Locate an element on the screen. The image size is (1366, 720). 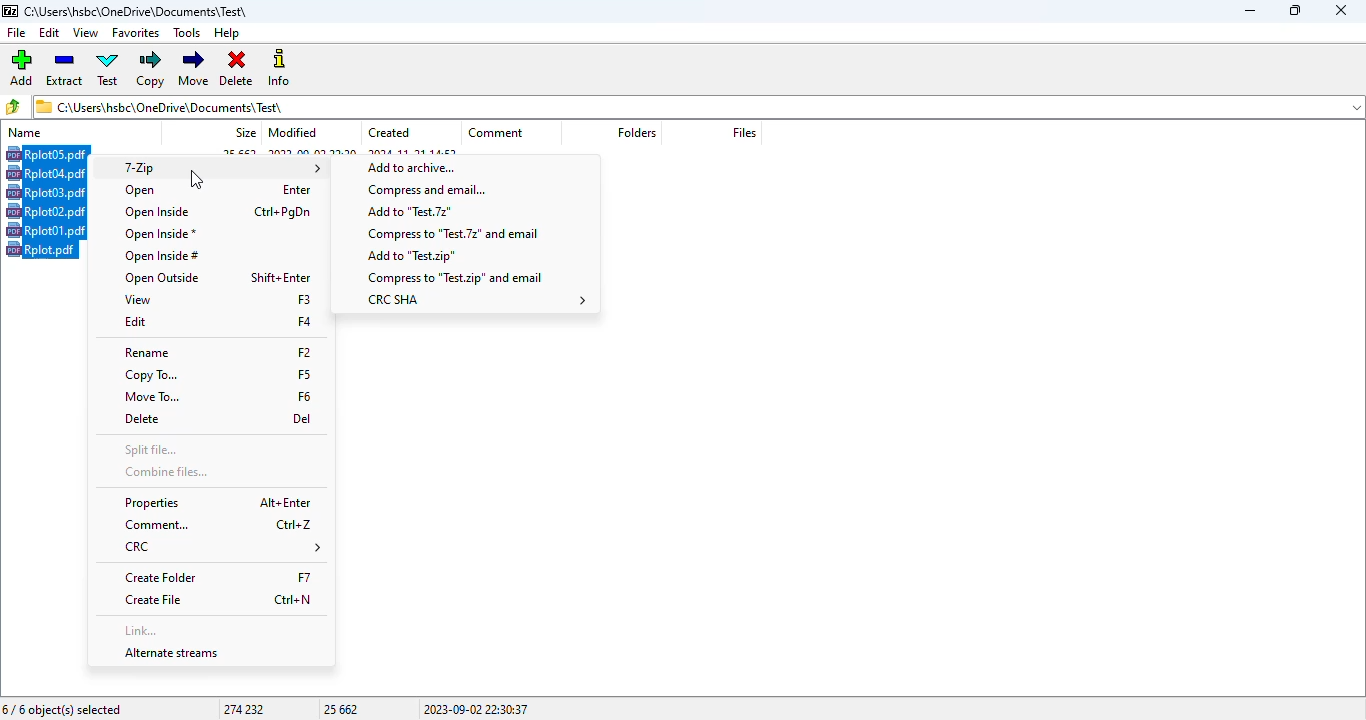
current folder is located at coordinates (698, 106).